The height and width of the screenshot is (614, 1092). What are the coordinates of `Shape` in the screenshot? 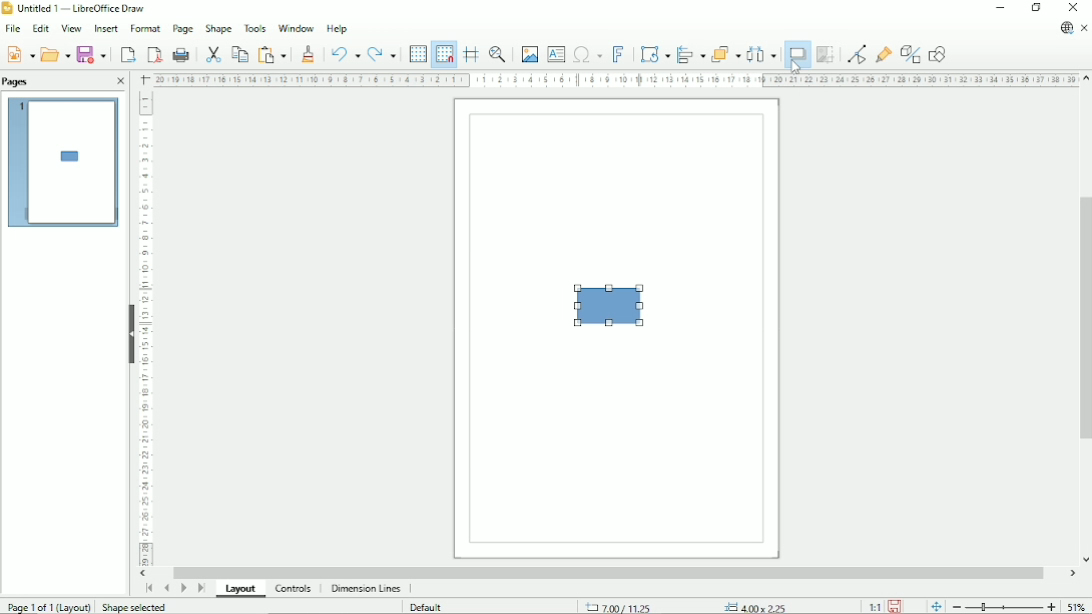 It's located at (220, 28).